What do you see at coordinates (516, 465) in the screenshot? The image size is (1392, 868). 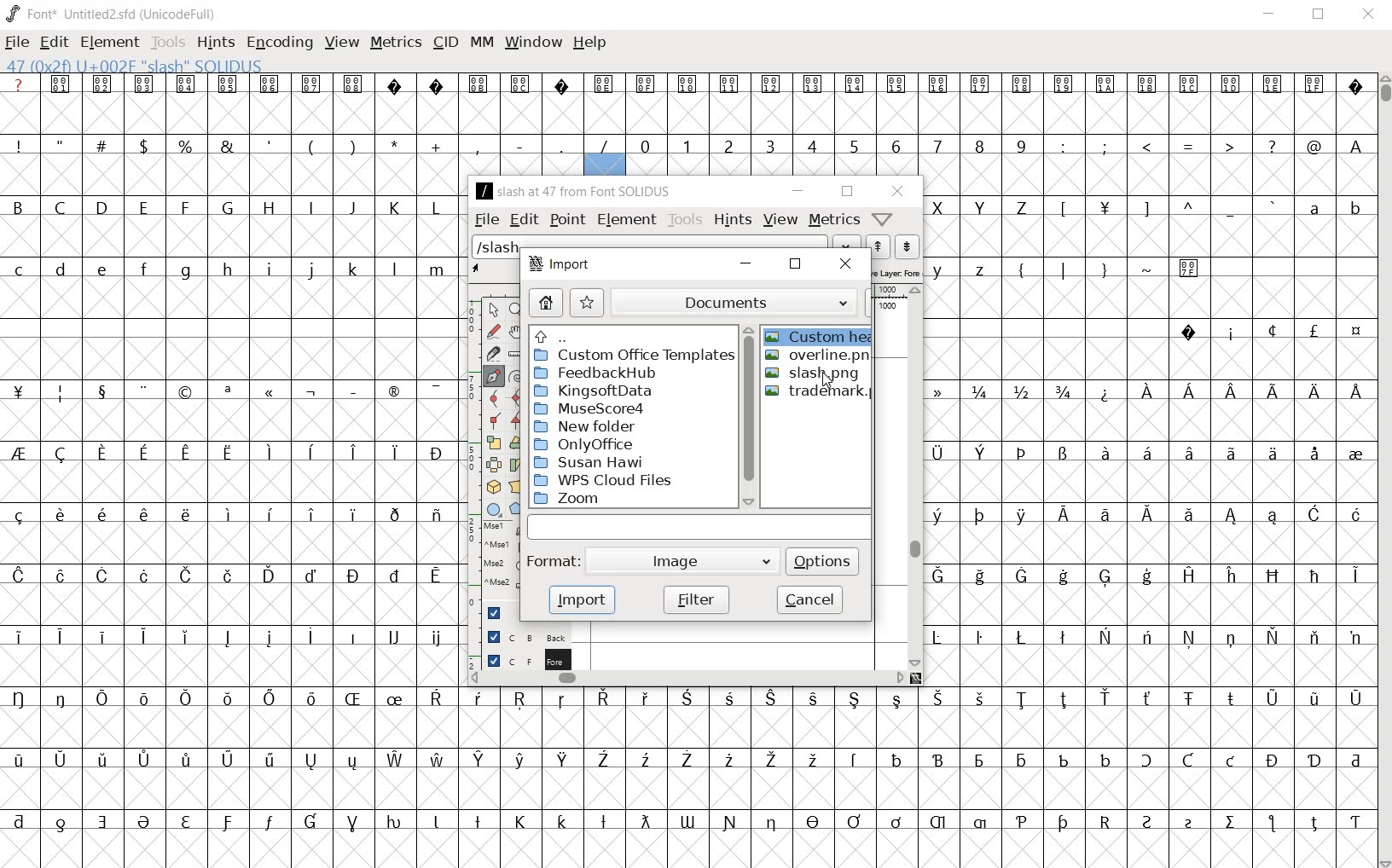 I see `skew the selection` at bounding box center [516, 465].